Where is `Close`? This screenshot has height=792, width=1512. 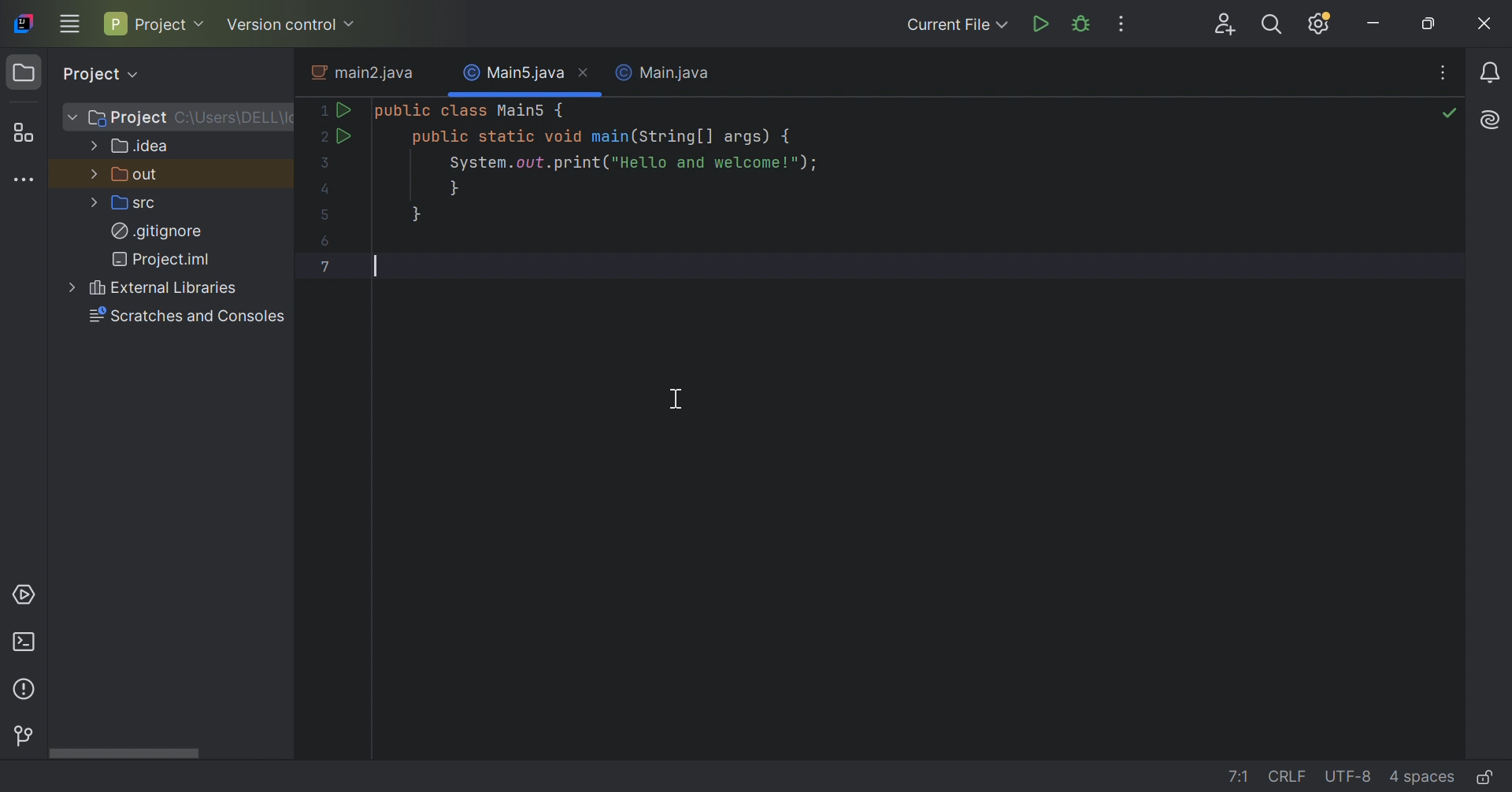 Close is located at coordinates (1484, 24).